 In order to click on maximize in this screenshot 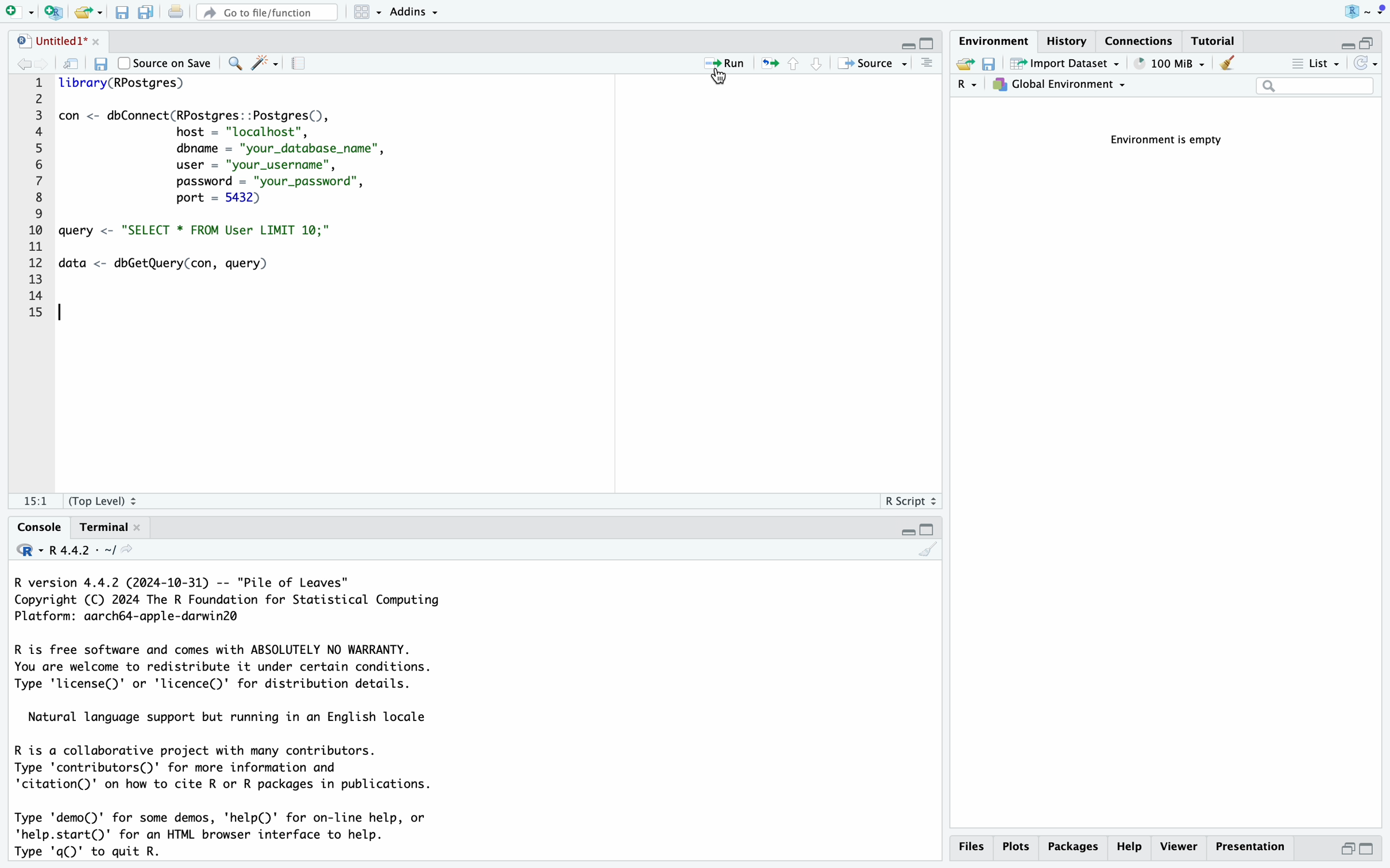, I will do `click(928, 529)`.